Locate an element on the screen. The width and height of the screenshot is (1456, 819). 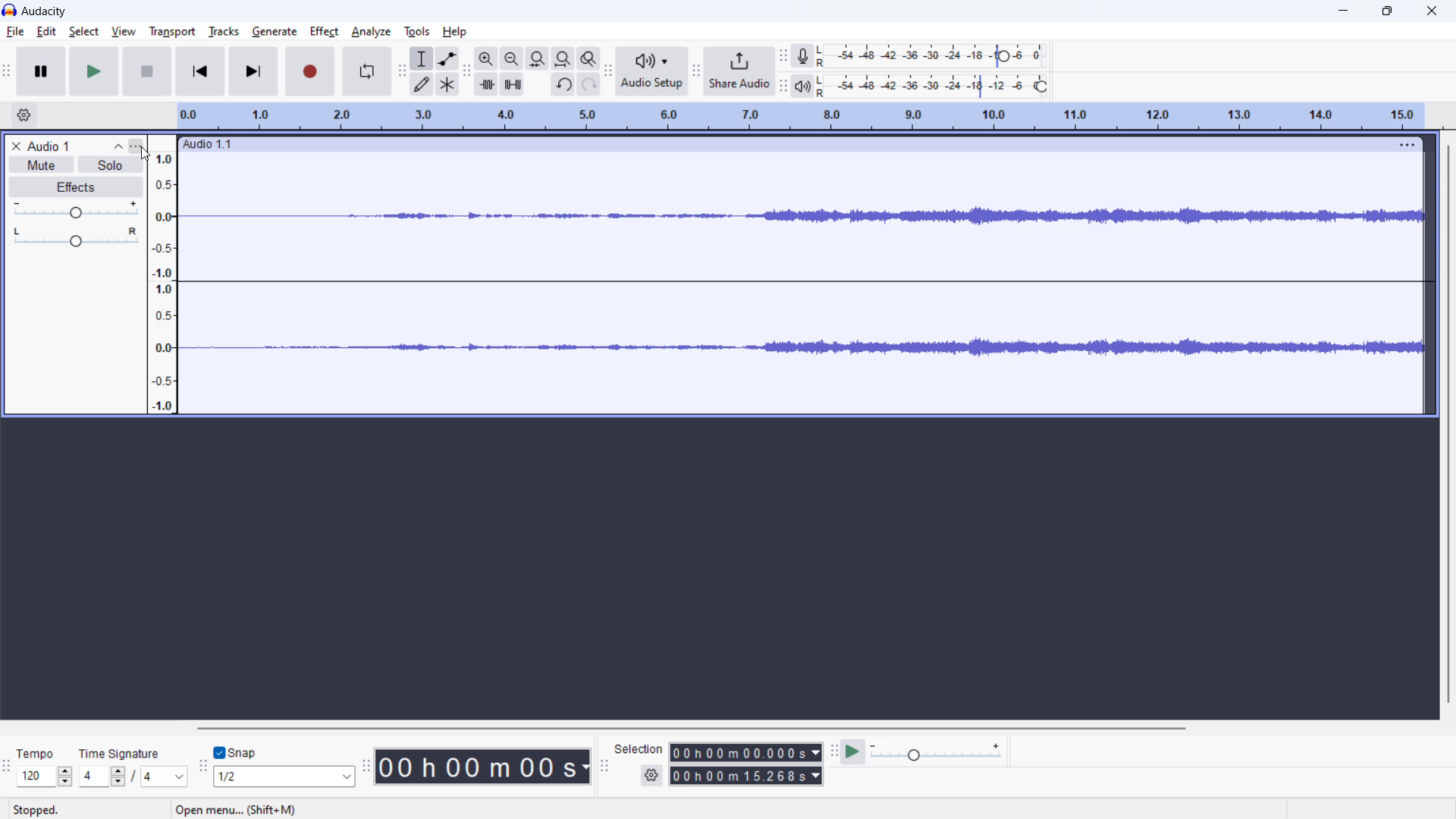
tools is located at coordinates (416, 31).